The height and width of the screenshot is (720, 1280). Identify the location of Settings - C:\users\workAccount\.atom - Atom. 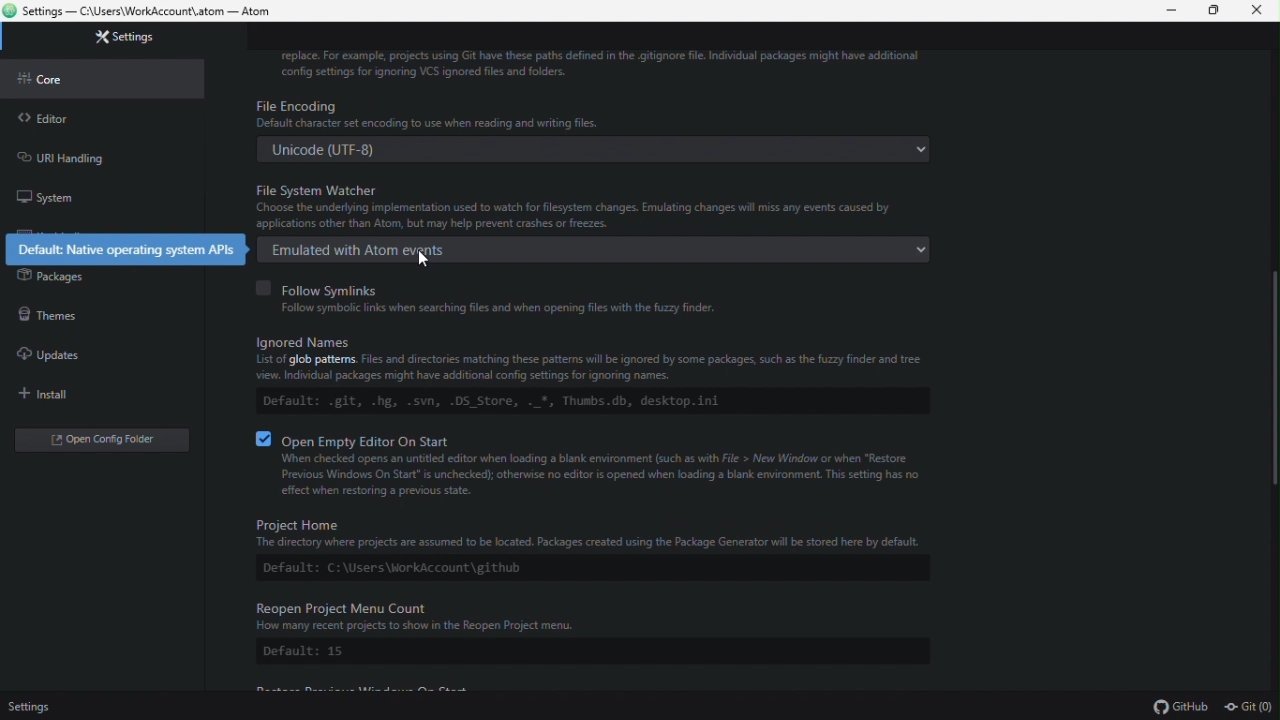
(149, 13).